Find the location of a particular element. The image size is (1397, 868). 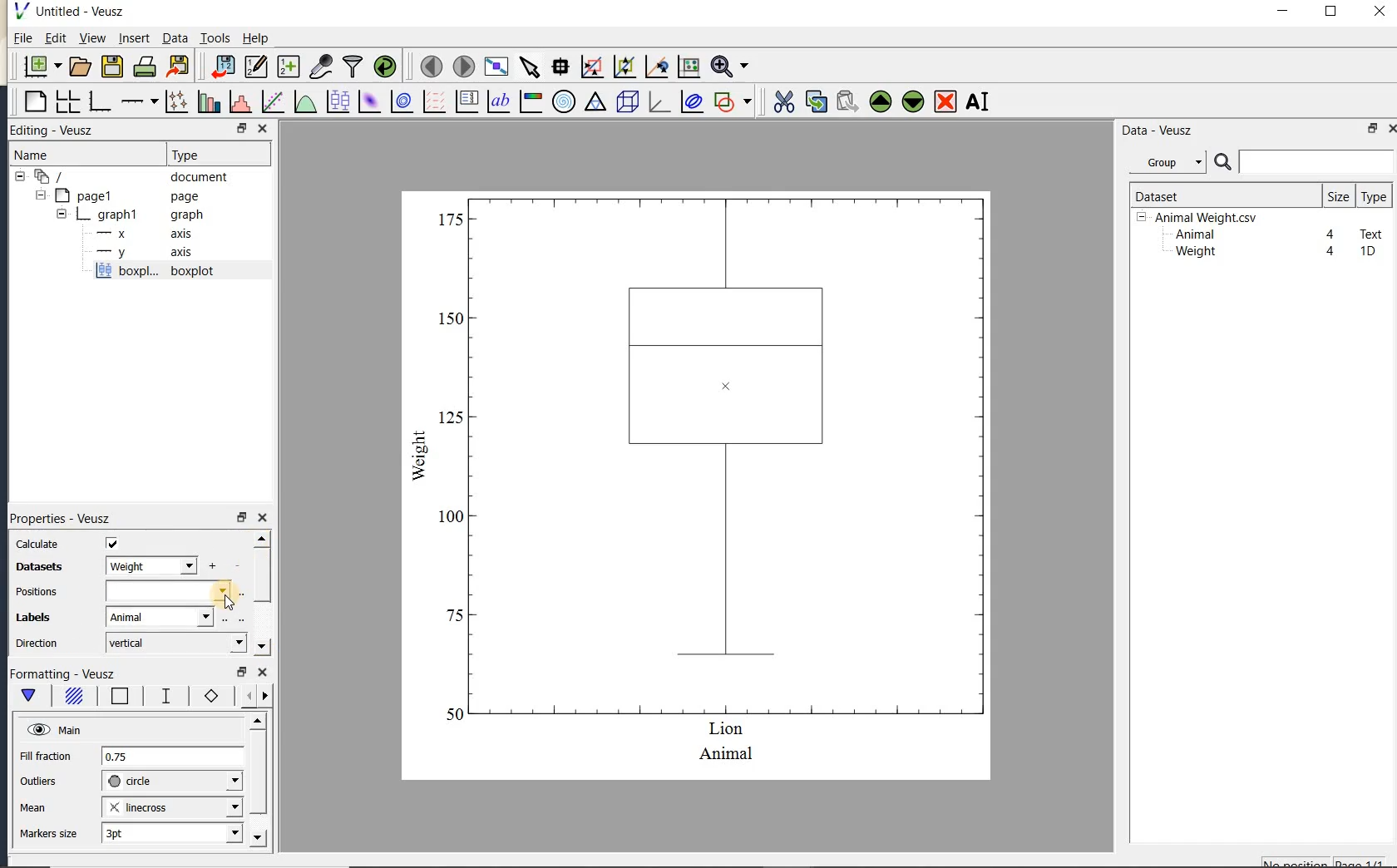

copy the selected widget is located at coordinates (814, 101).